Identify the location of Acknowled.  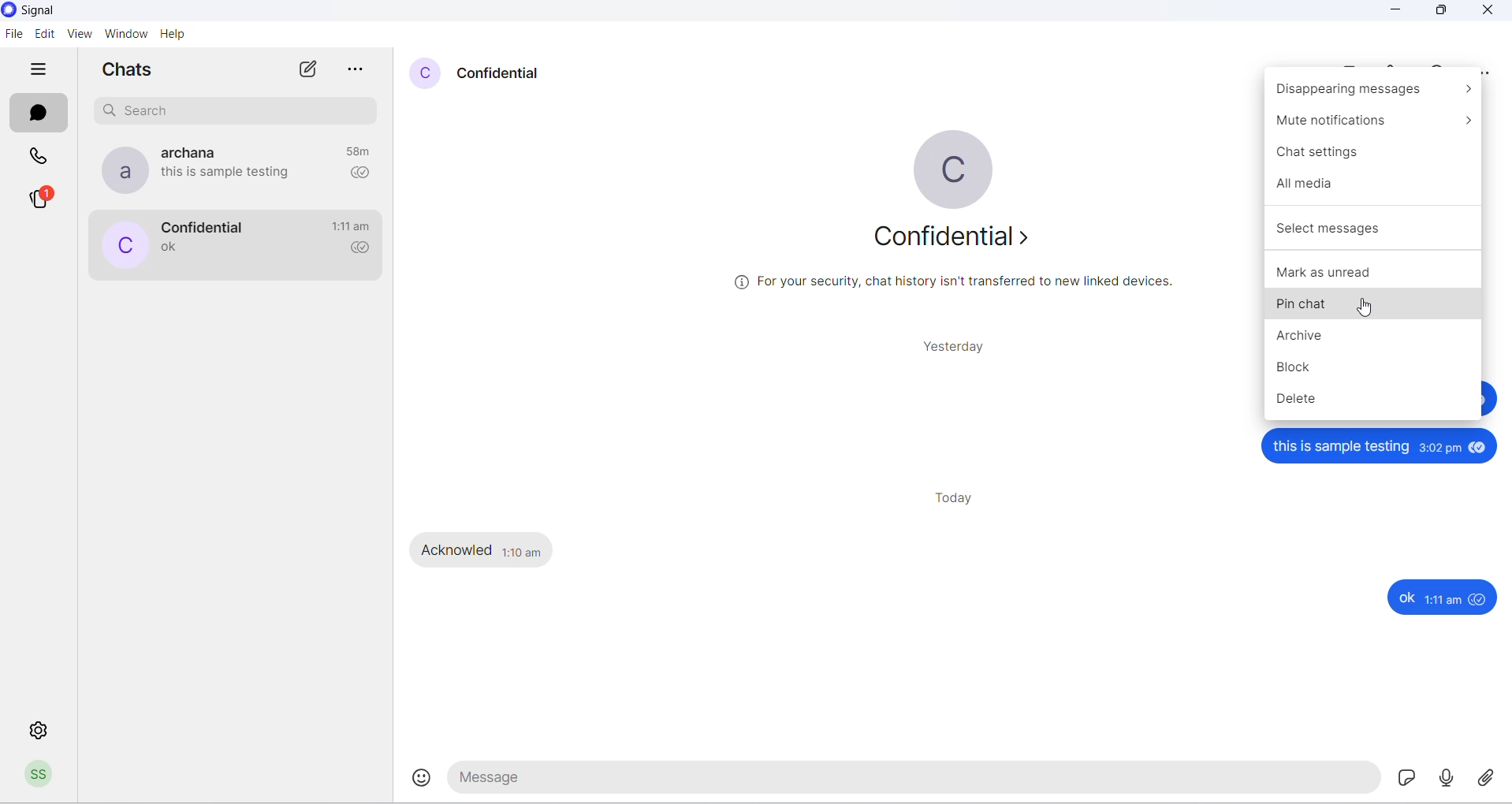
(457, 549).